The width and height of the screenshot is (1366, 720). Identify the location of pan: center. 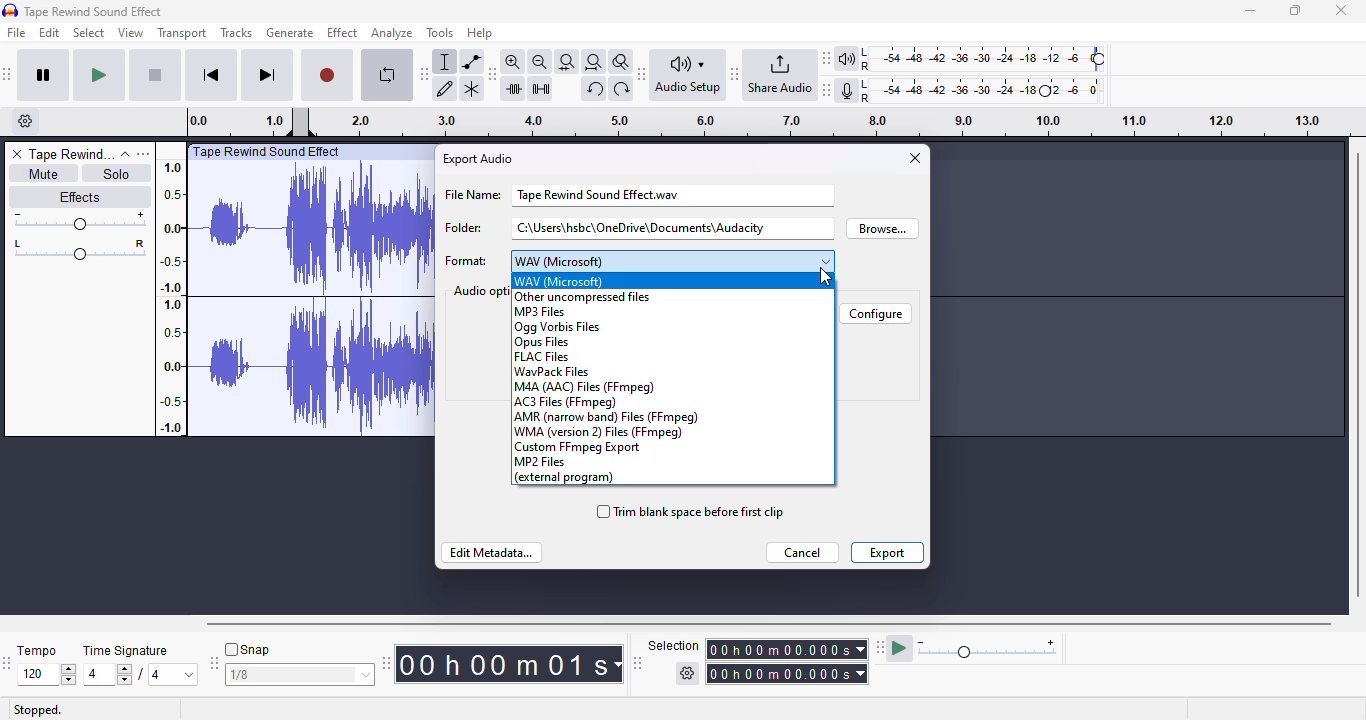
(80, 249).